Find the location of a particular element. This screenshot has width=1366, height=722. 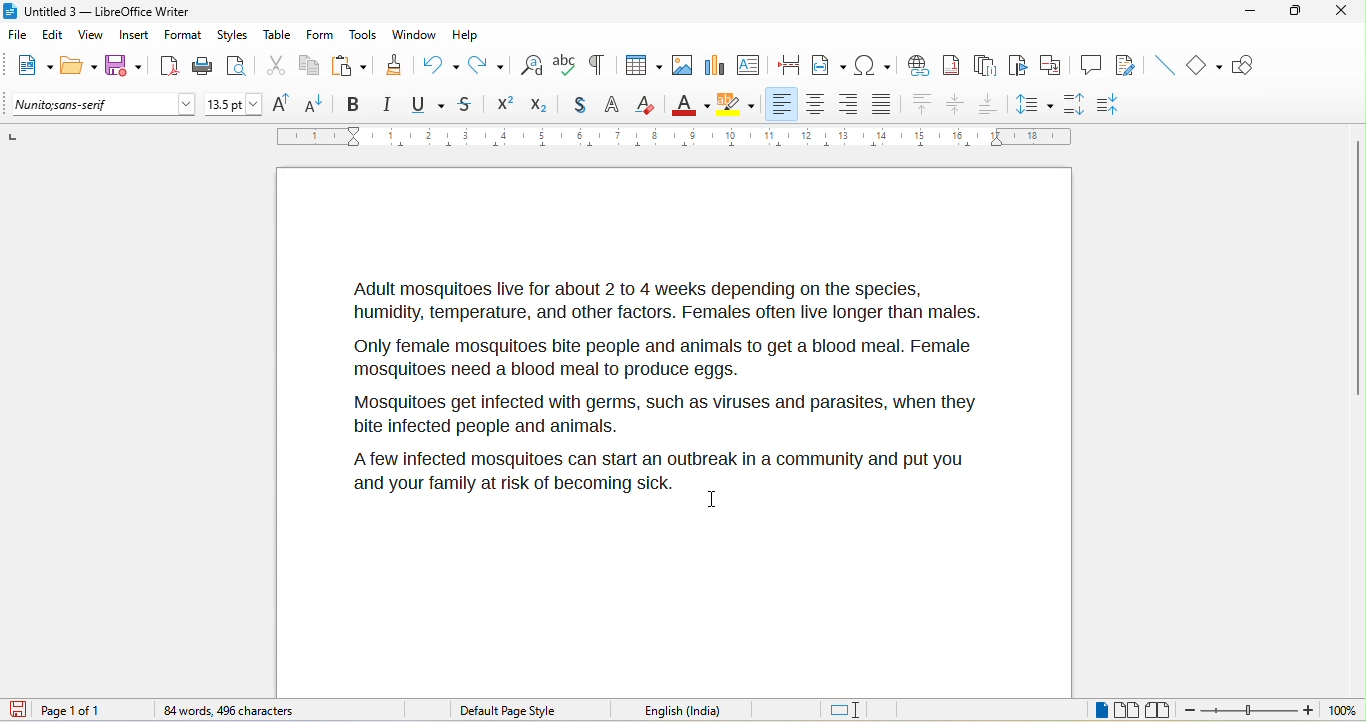

basic shapes is located at coordinates (1206, 66).